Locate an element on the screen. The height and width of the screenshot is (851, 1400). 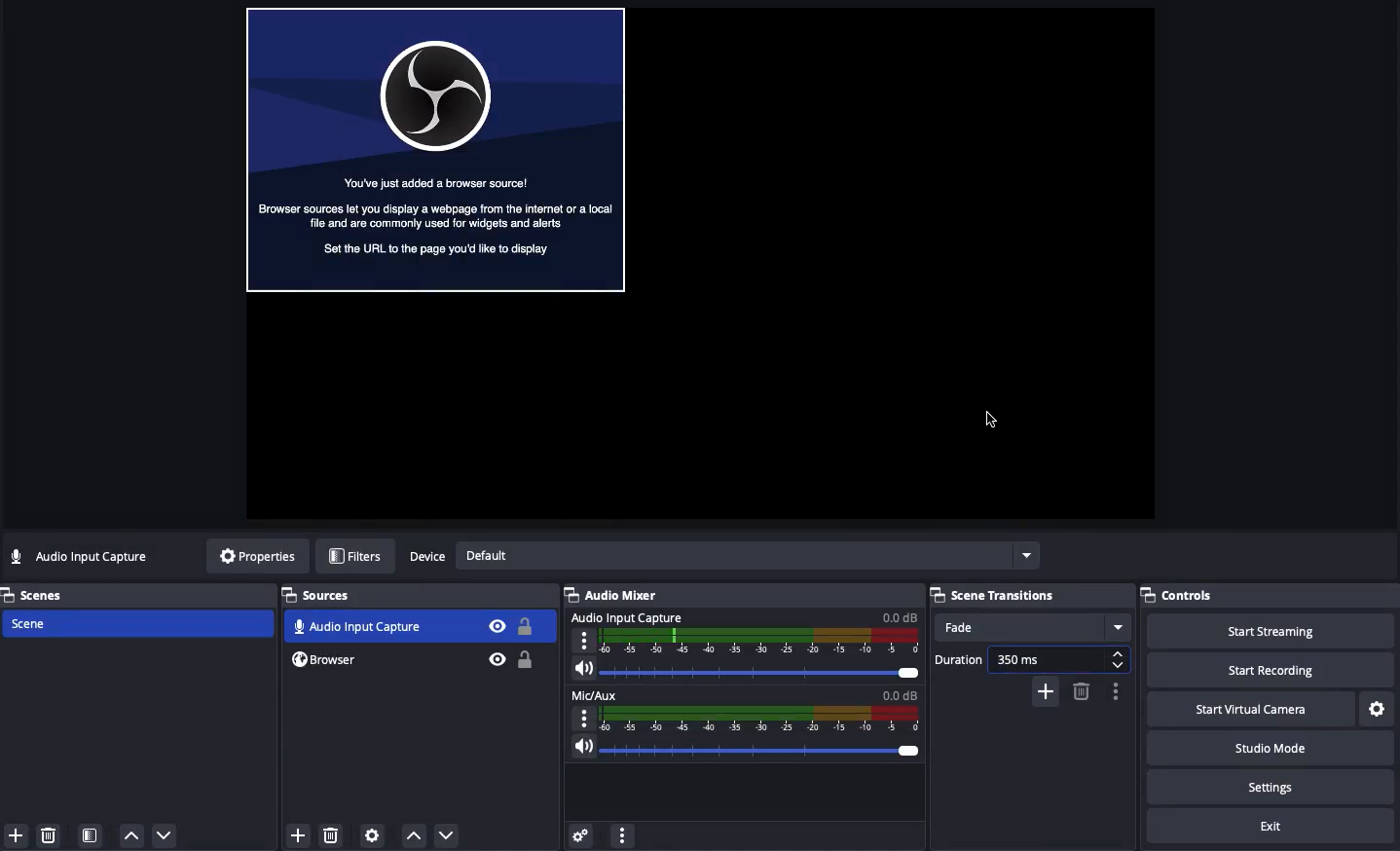
Up is located at coordinates (129, 835).